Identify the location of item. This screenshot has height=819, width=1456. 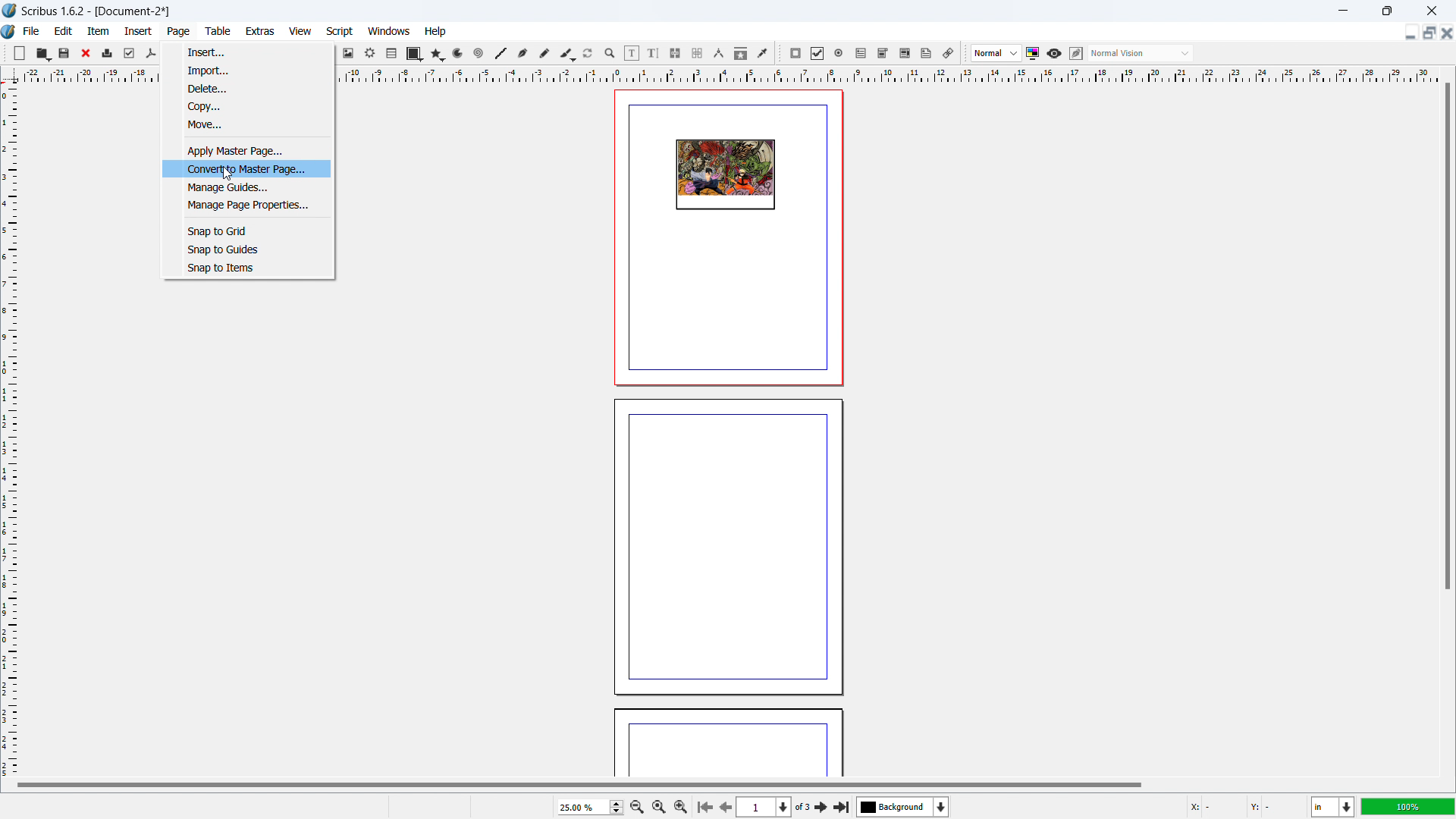
(99, 30).